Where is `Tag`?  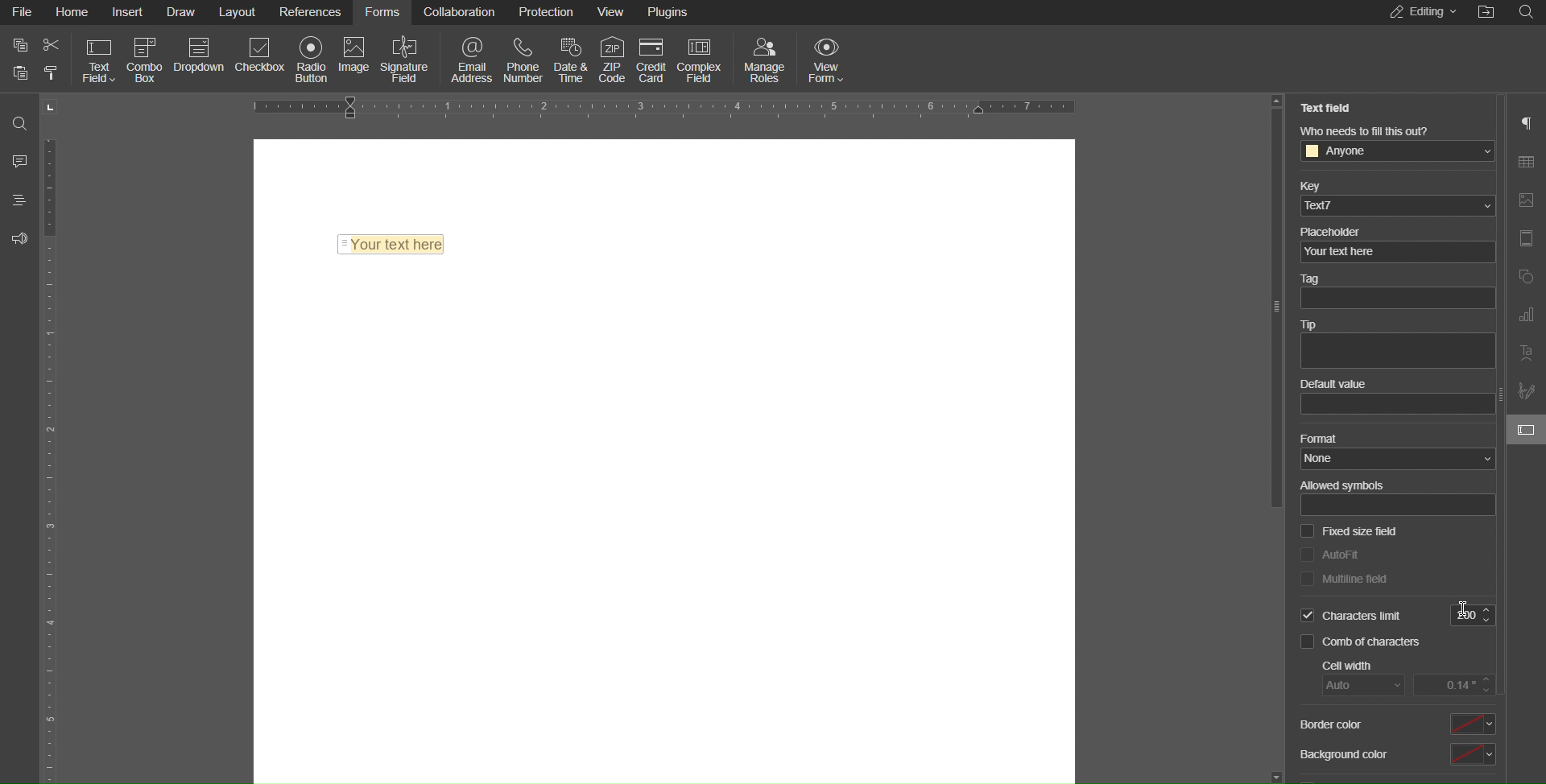
Tag is located at coordinates (1395, 293).